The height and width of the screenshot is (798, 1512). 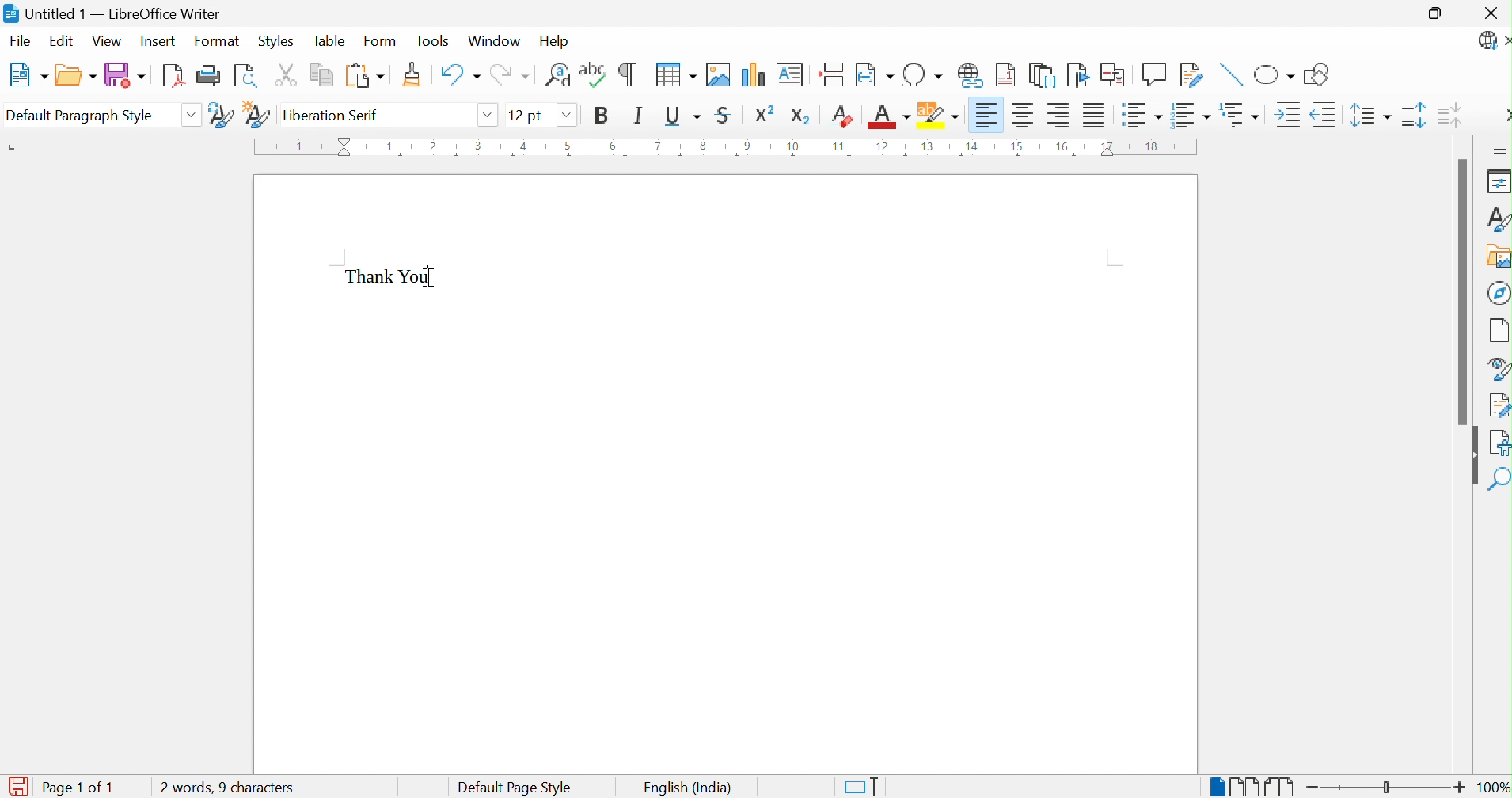 What do you see at coordinates (17, 785) in the screenshot?
I see `The document has been modified. Click to save the document.` at bounding box center [17, 785].